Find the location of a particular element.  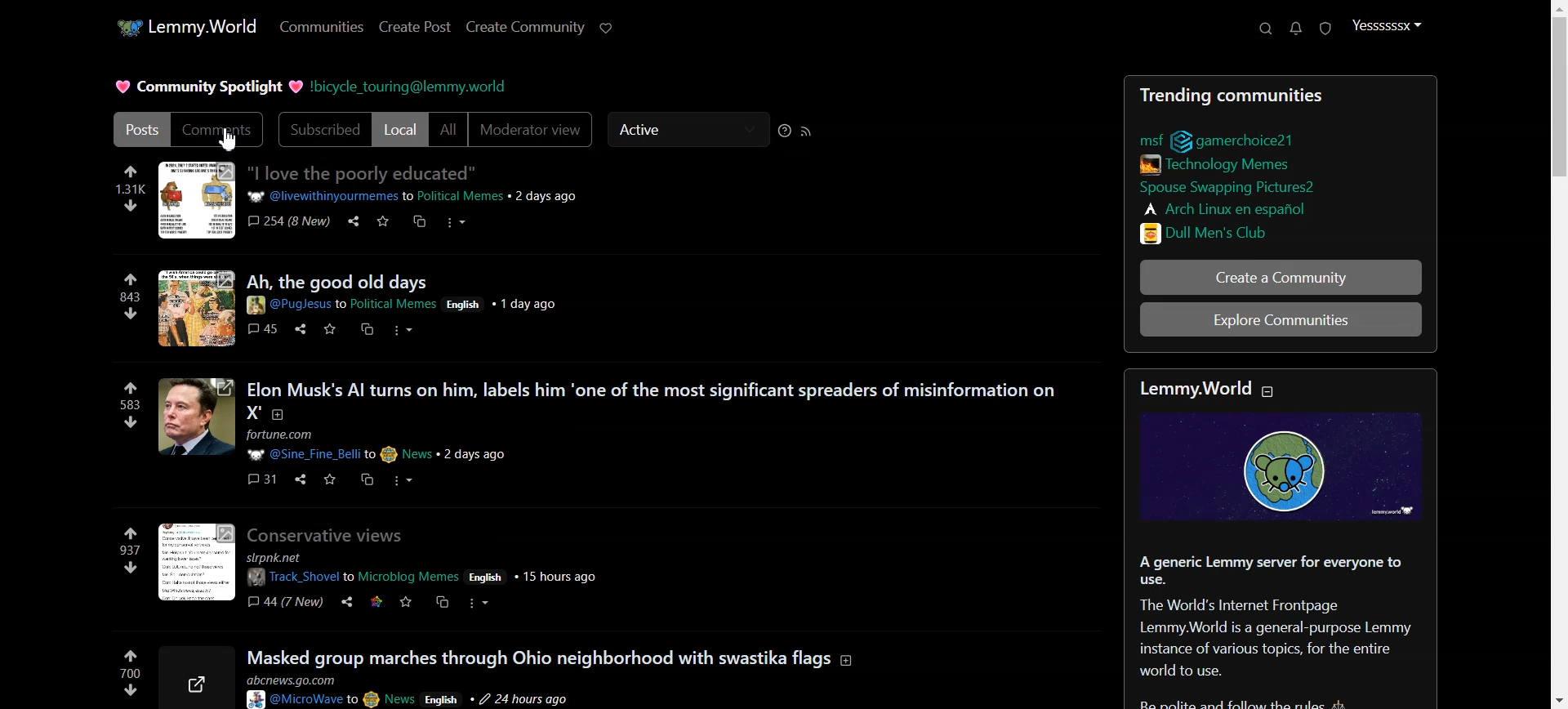

more is located at coordinates (402, 479).